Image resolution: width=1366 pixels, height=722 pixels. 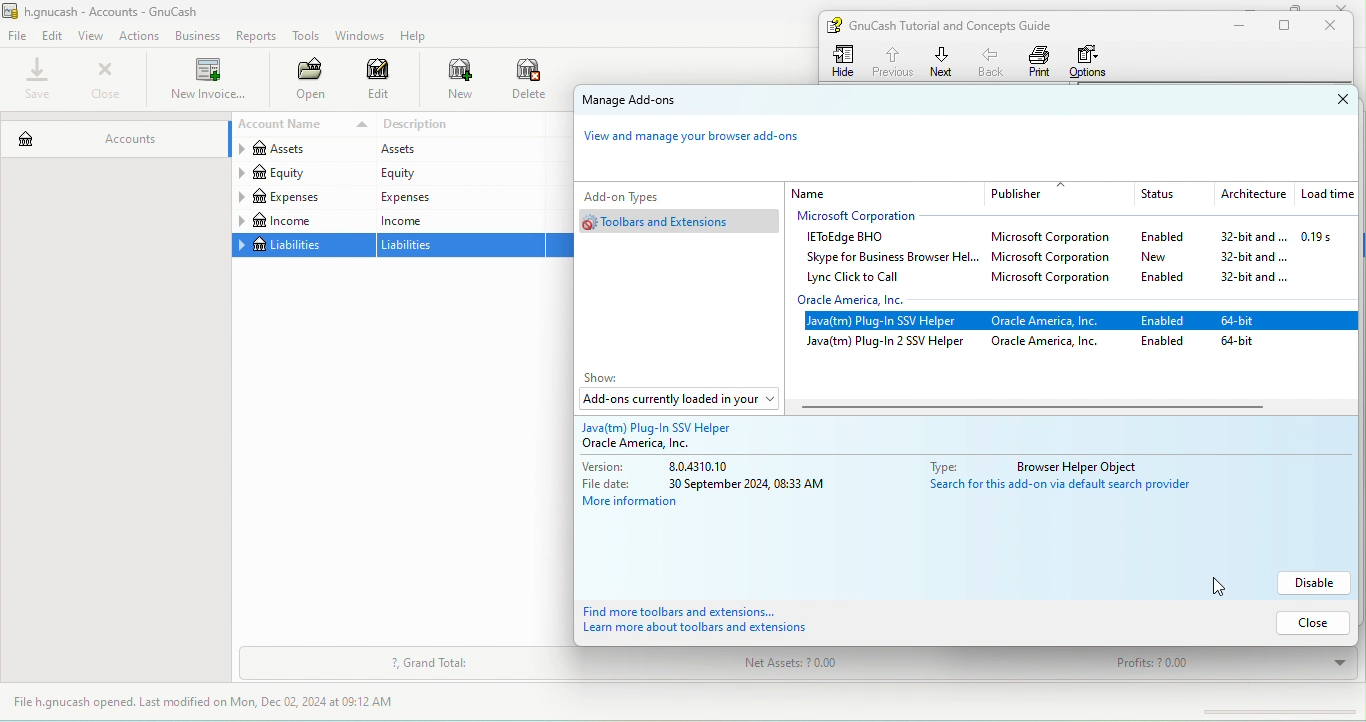 What do you see at coordinates (869, 217) in the screenshot?
I see `microsoft corporation` at bounding box center [869, 217].